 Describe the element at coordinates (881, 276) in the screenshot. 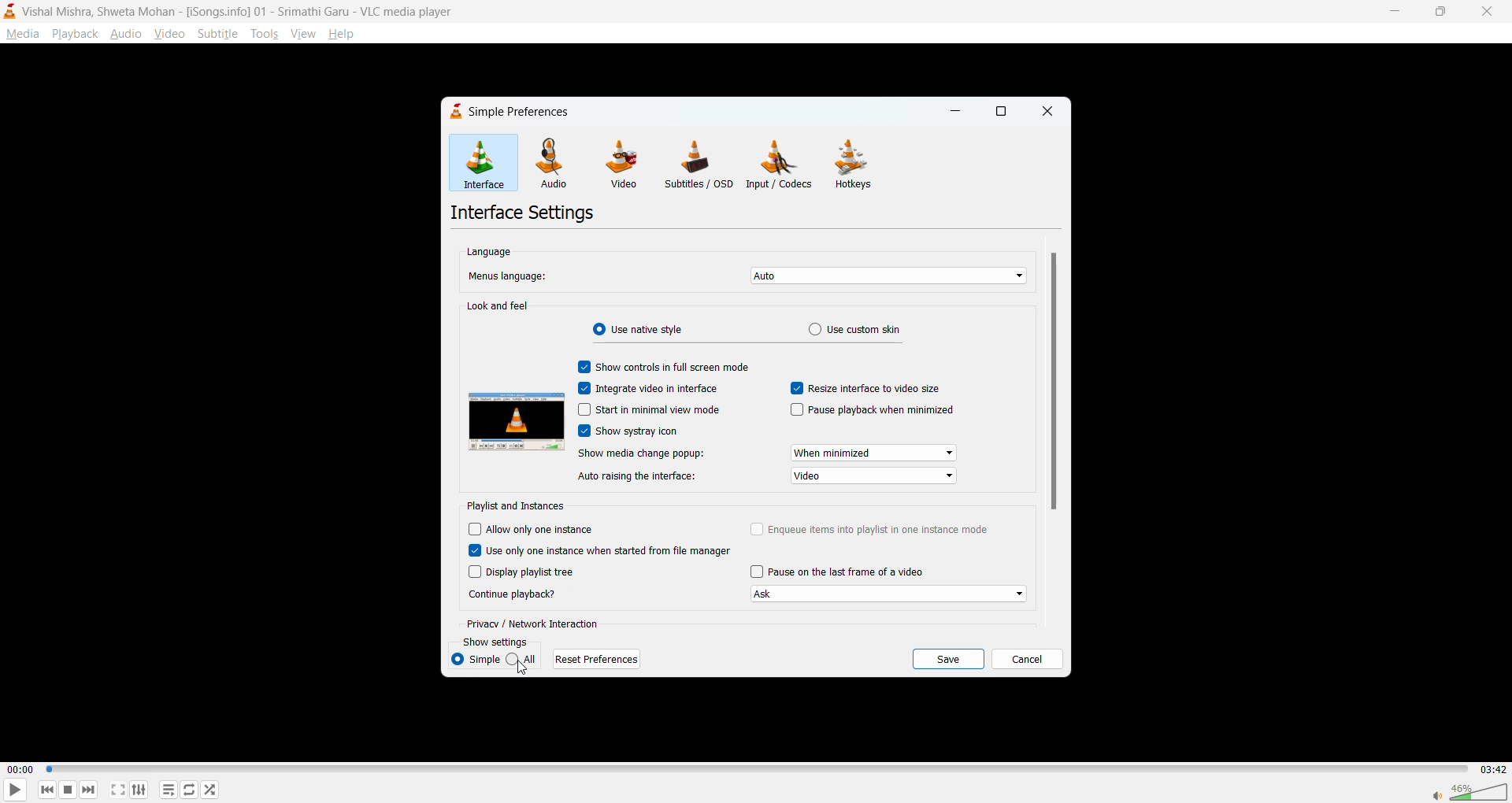

I see `Language Dropdown` at that location.